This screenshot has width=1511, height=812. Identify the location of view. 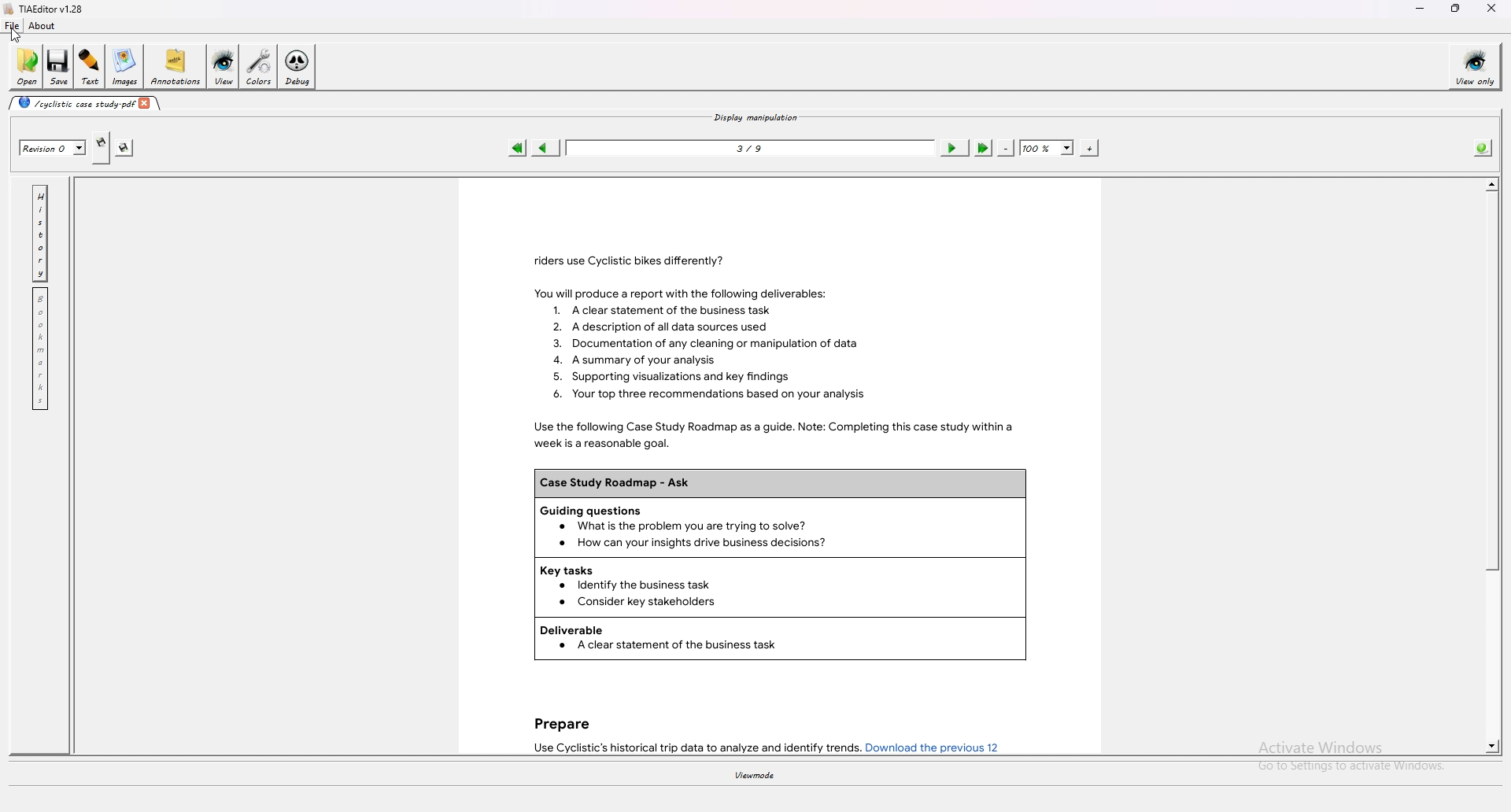
(223, 67).